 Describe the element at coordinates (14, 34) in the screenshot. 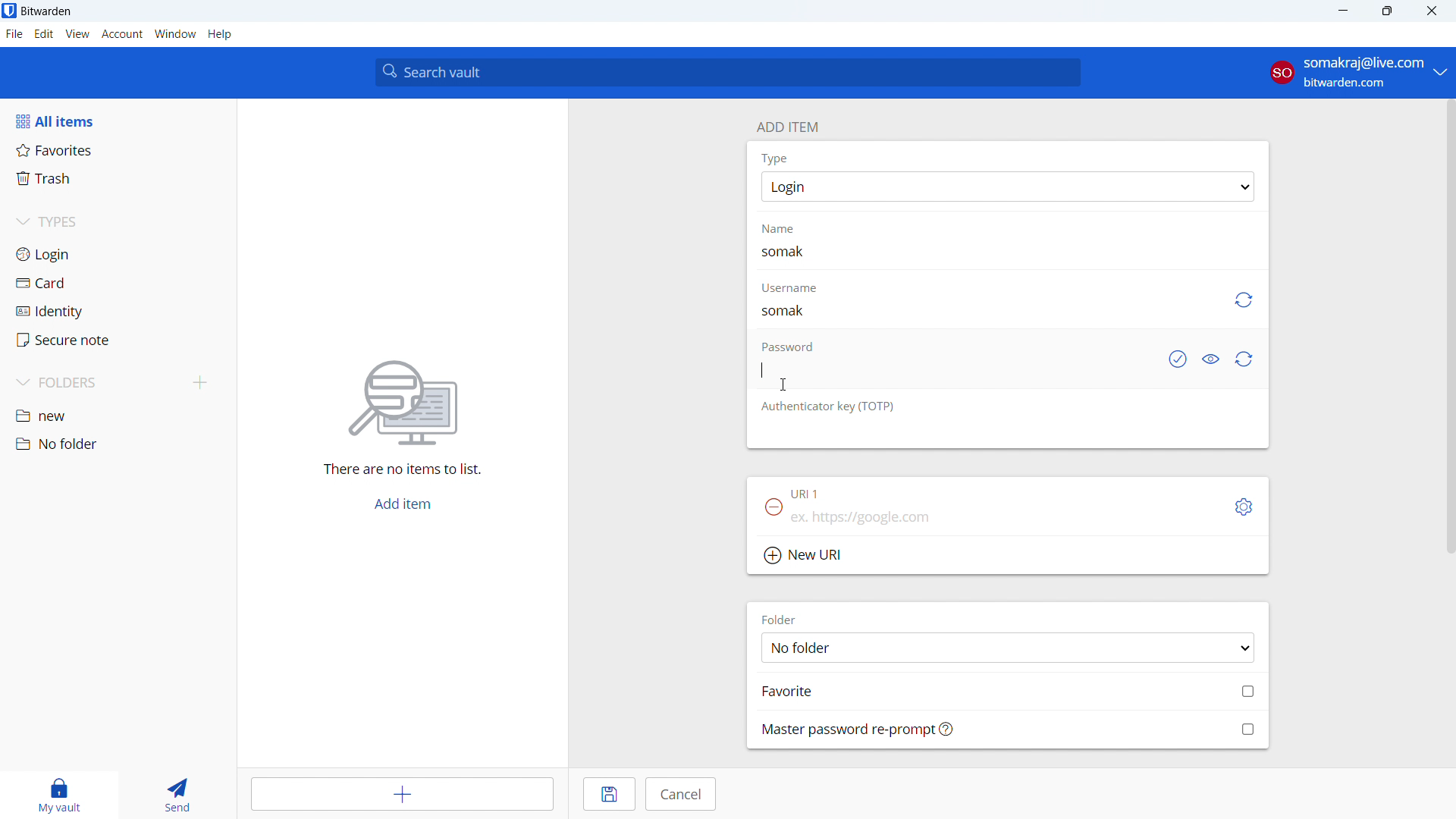

I see `file` at that location.